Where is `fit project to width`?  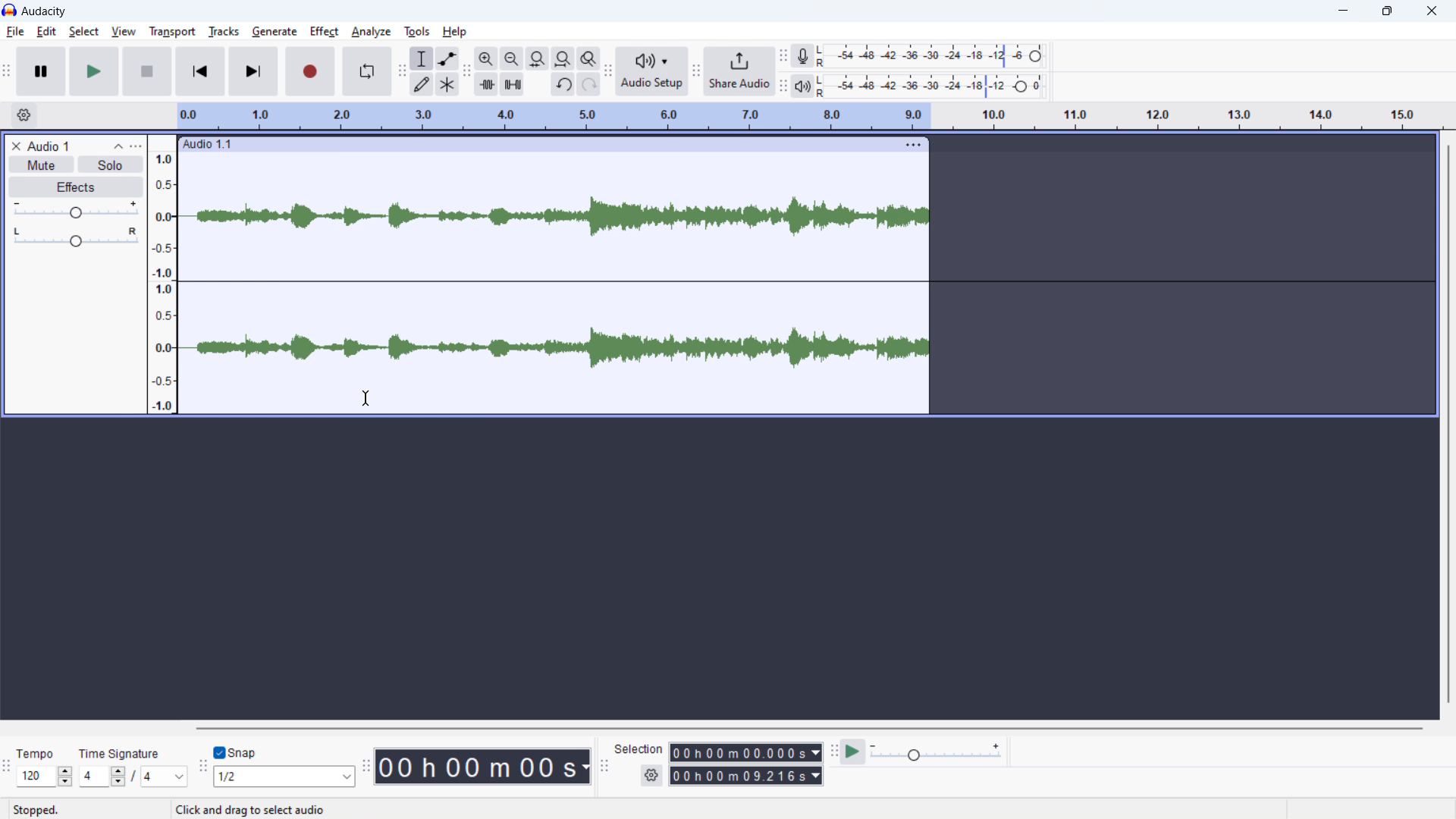 fit project to width is located at coordinates (563, 58).